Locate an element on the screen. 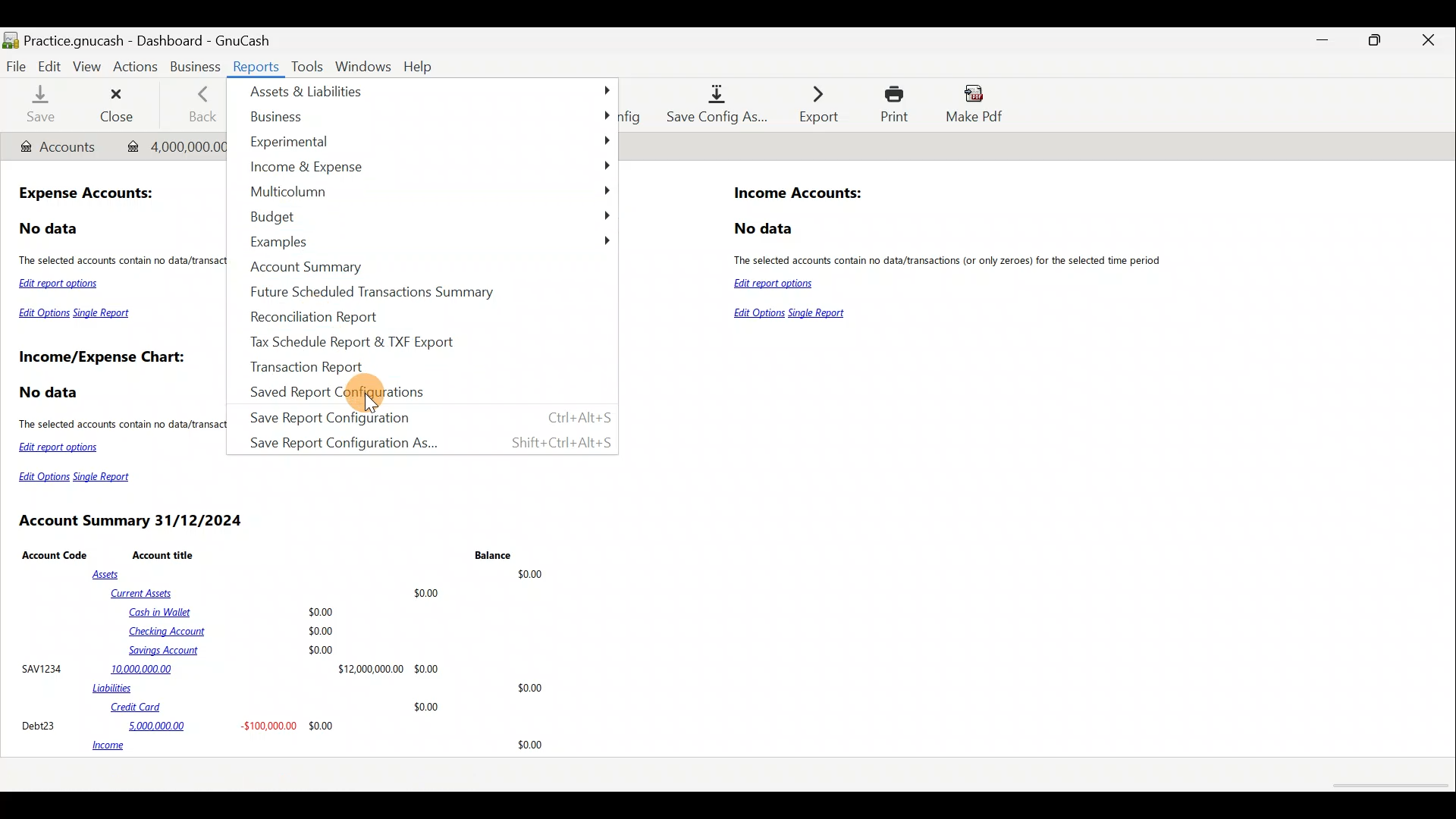 The image size is (1456, 819). Multicolumn » is located at coordinates (432, 192).